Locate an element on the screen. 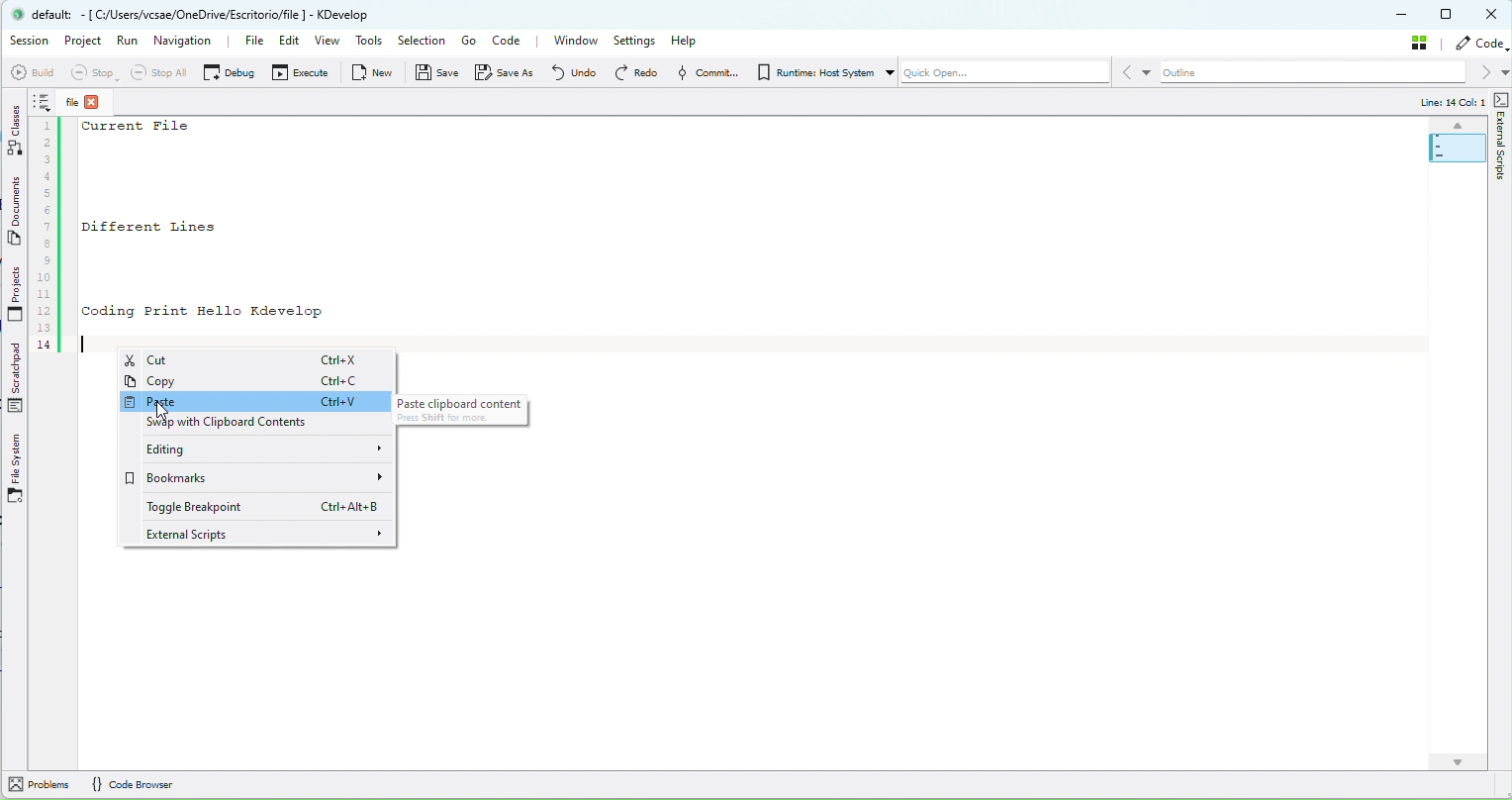 This screenshot has width=1512, height=800. code is located at coordinates (1482, 44).